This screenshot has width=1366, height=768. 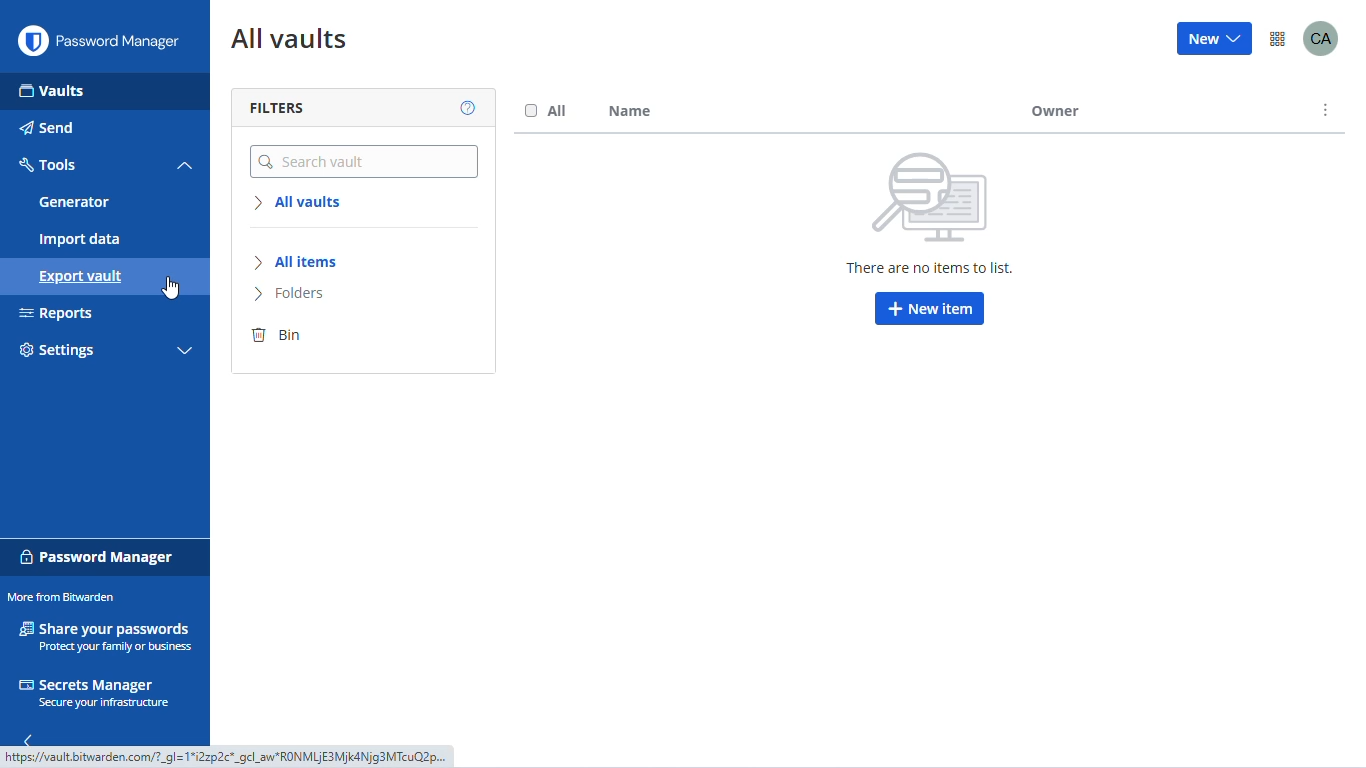 I want to click on folders, so click(x=288, y=293).